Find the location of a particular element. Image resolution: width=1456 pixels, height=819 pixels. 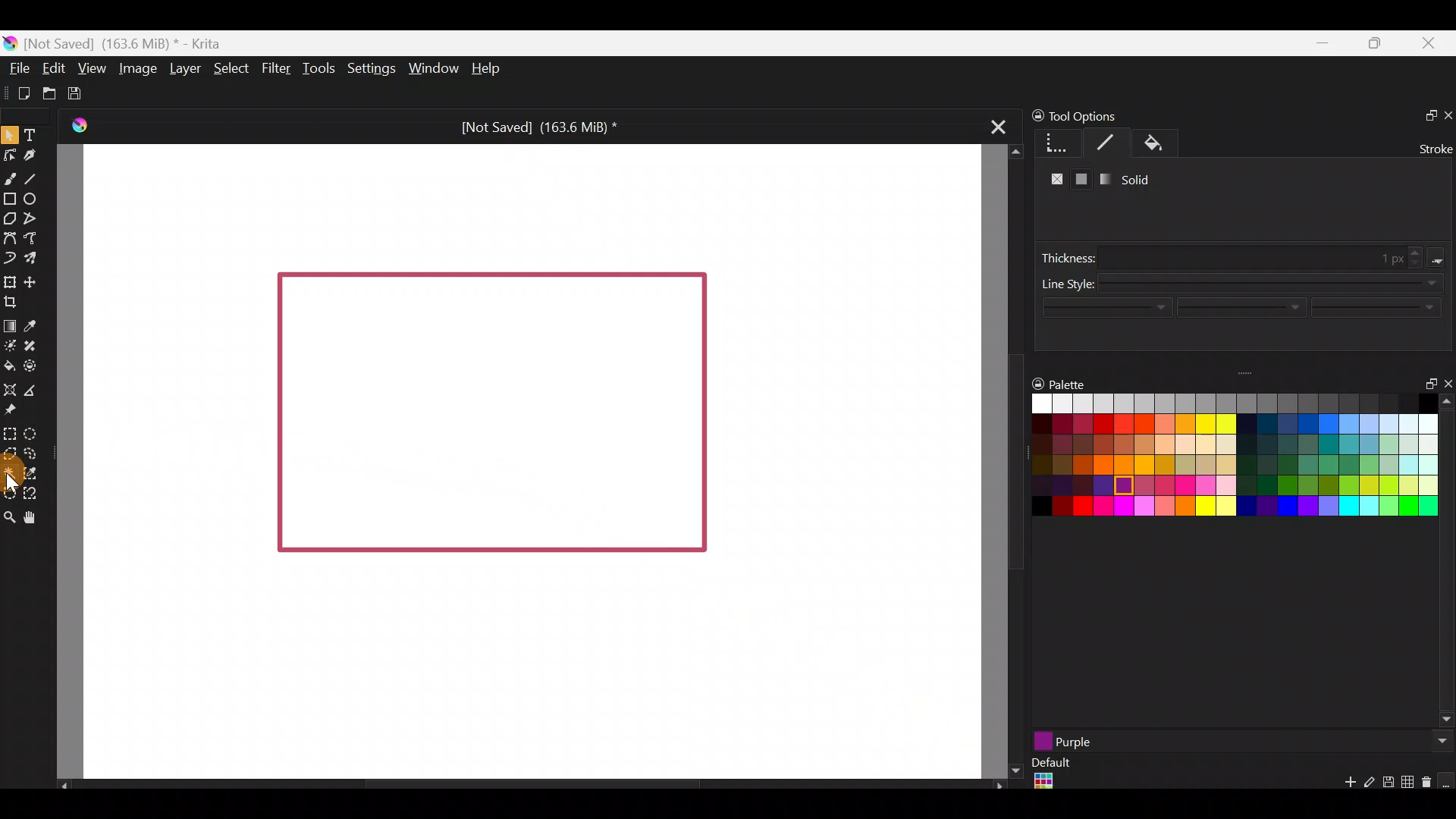

Polygon tool is located at coordinates (10, 218).